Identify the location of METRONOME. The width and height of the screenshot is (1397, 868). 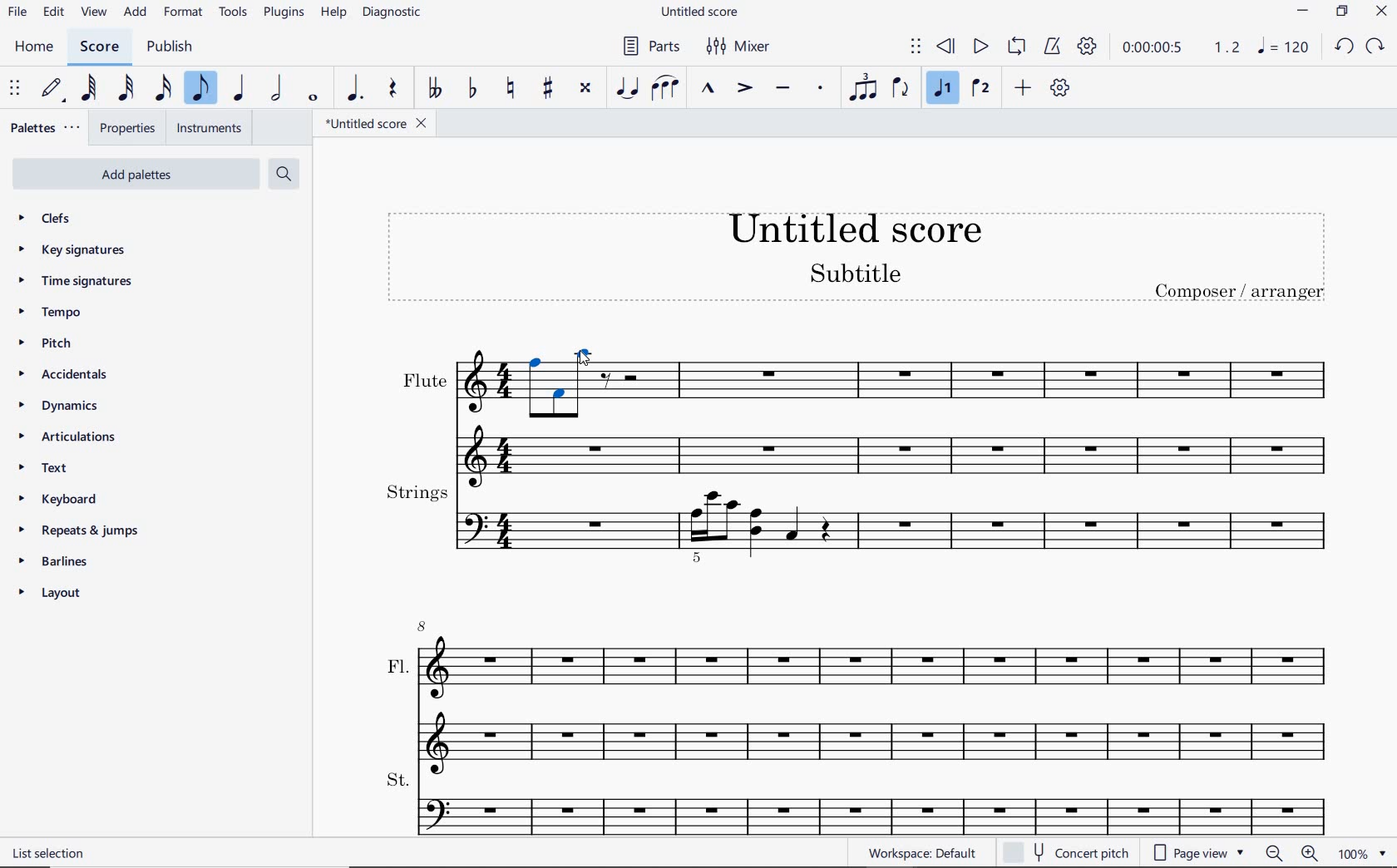
(1054, 46).